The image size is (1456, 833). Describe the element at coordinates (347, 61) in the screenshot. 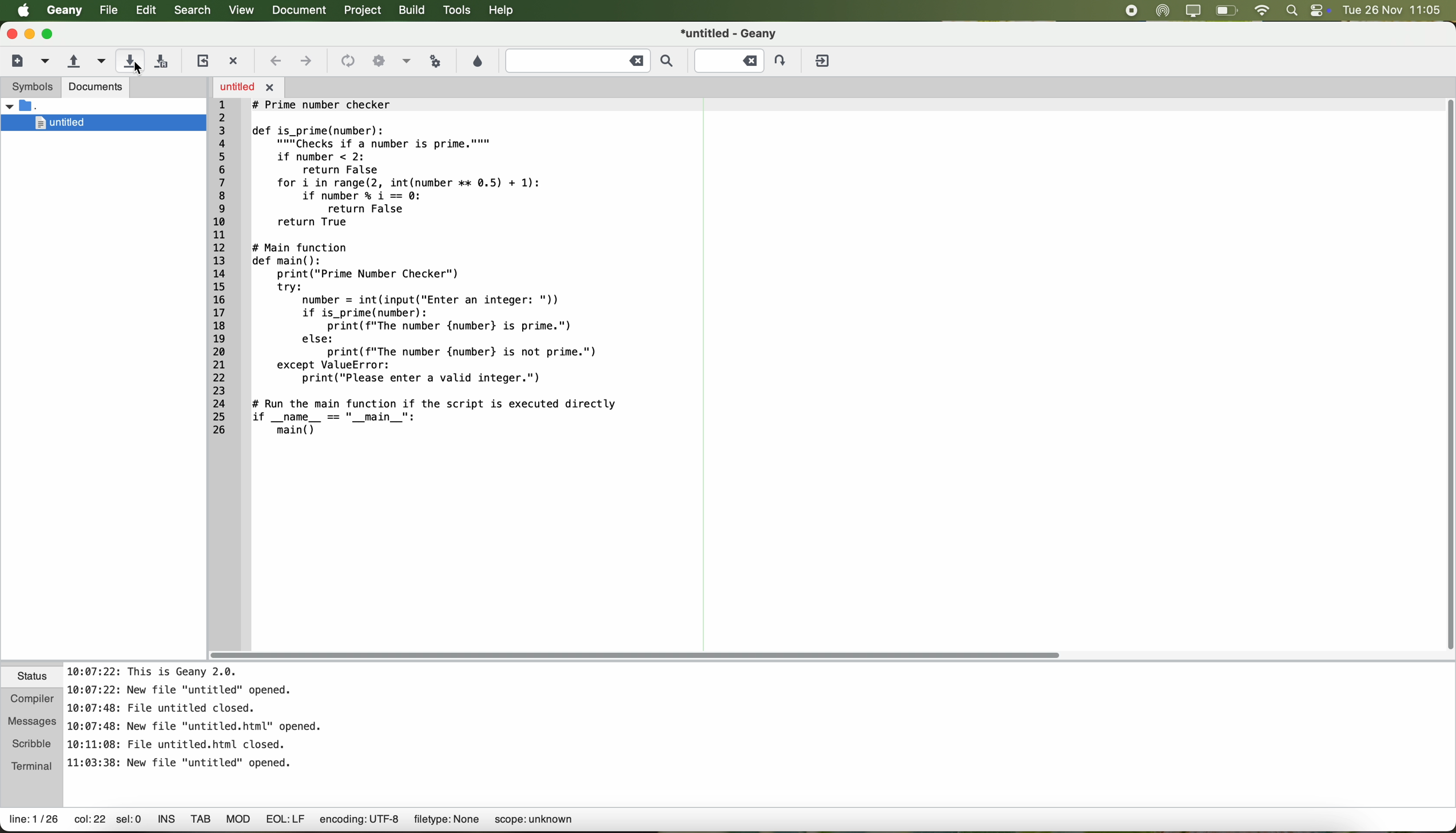

I see `icon` at that location.